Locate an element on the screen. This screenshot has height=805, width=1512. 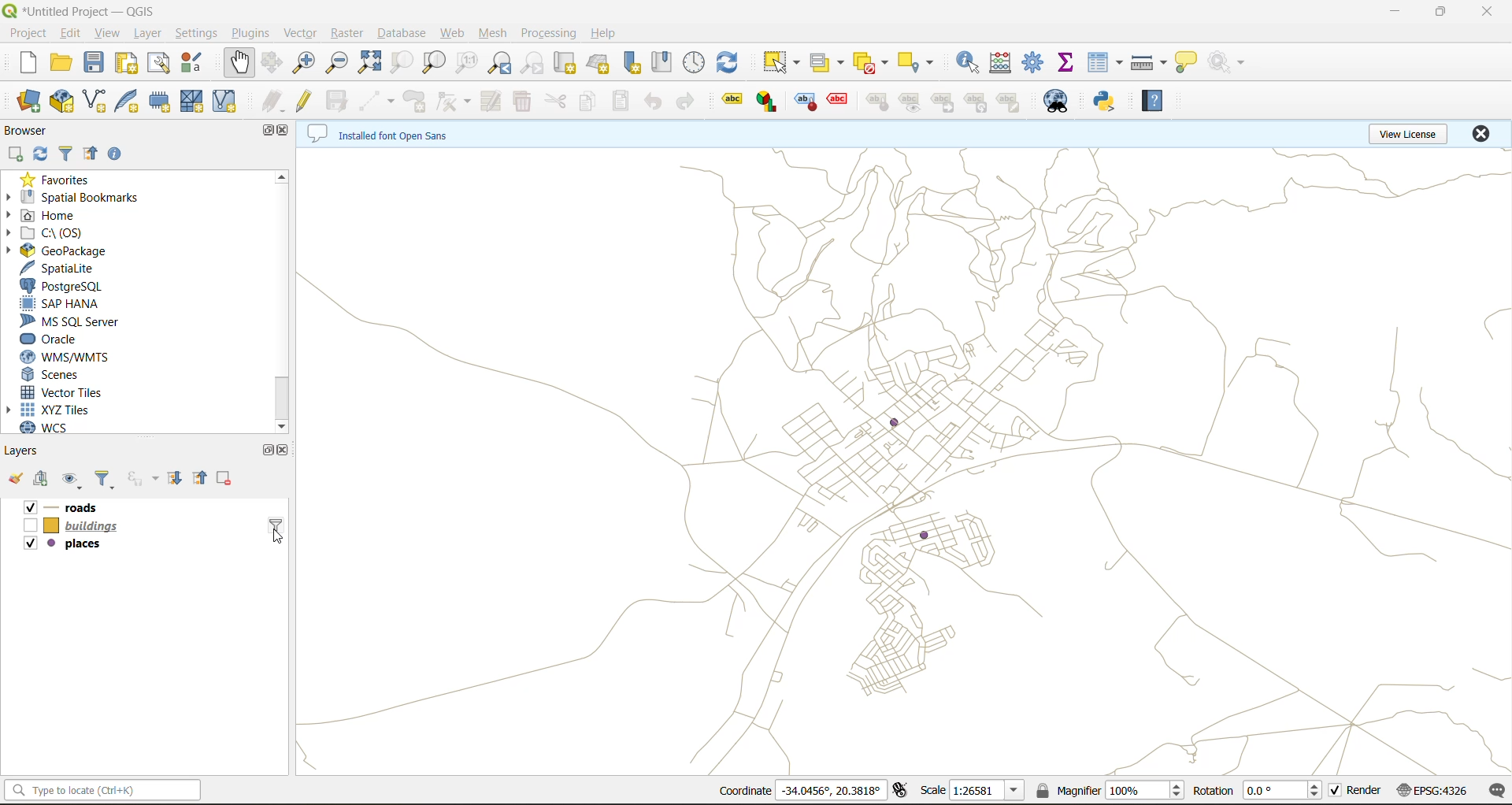
scroll bar is located at coordinates (283, 341).